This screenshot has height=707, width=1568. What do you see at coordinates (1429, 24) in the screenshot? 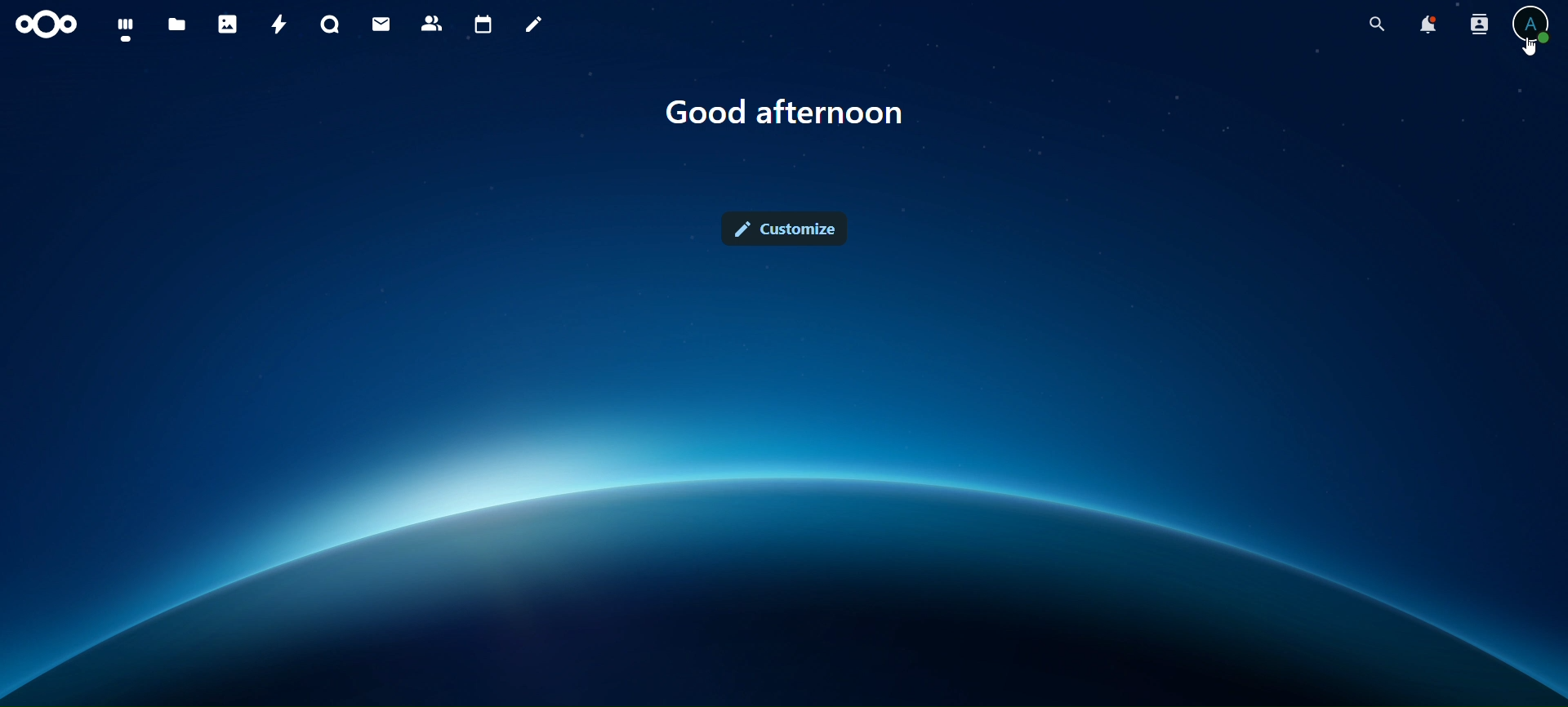
I see `notifications` at bounding box center [1429, 24].